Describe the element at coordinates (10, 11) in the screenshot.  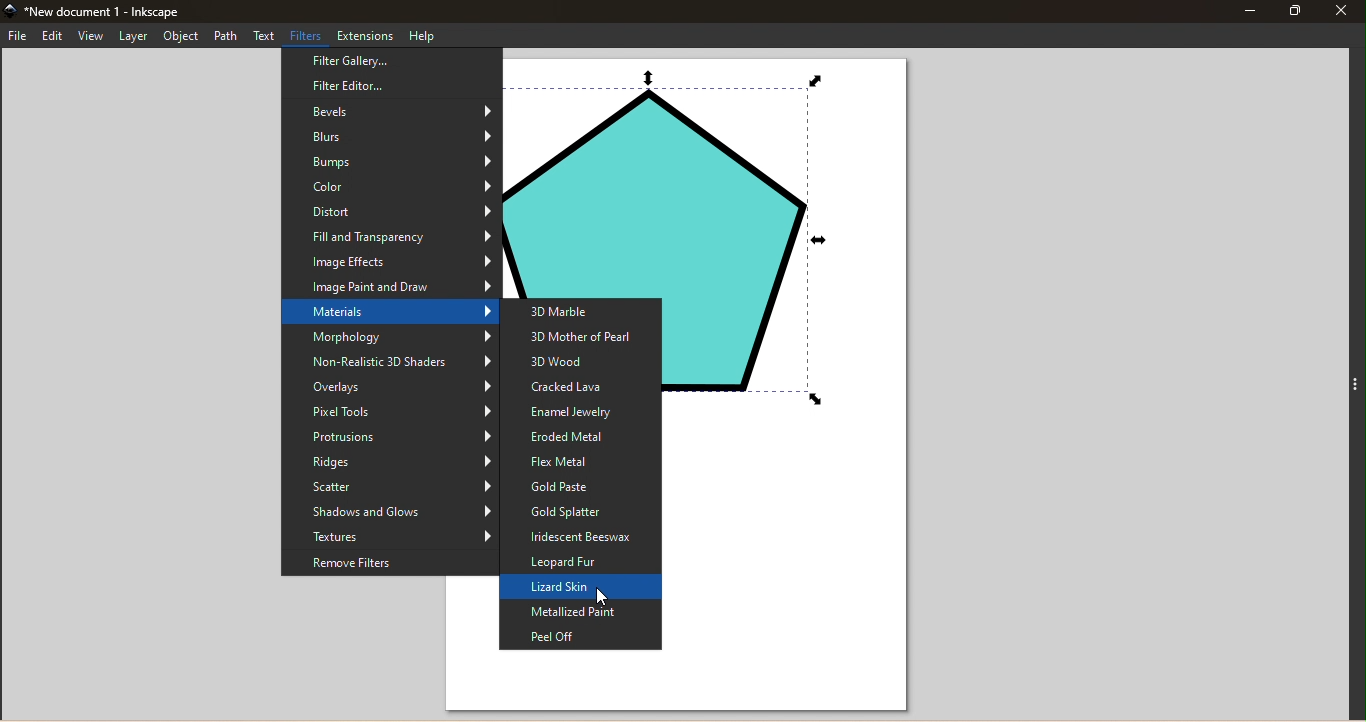
I see `app icon` at that location.